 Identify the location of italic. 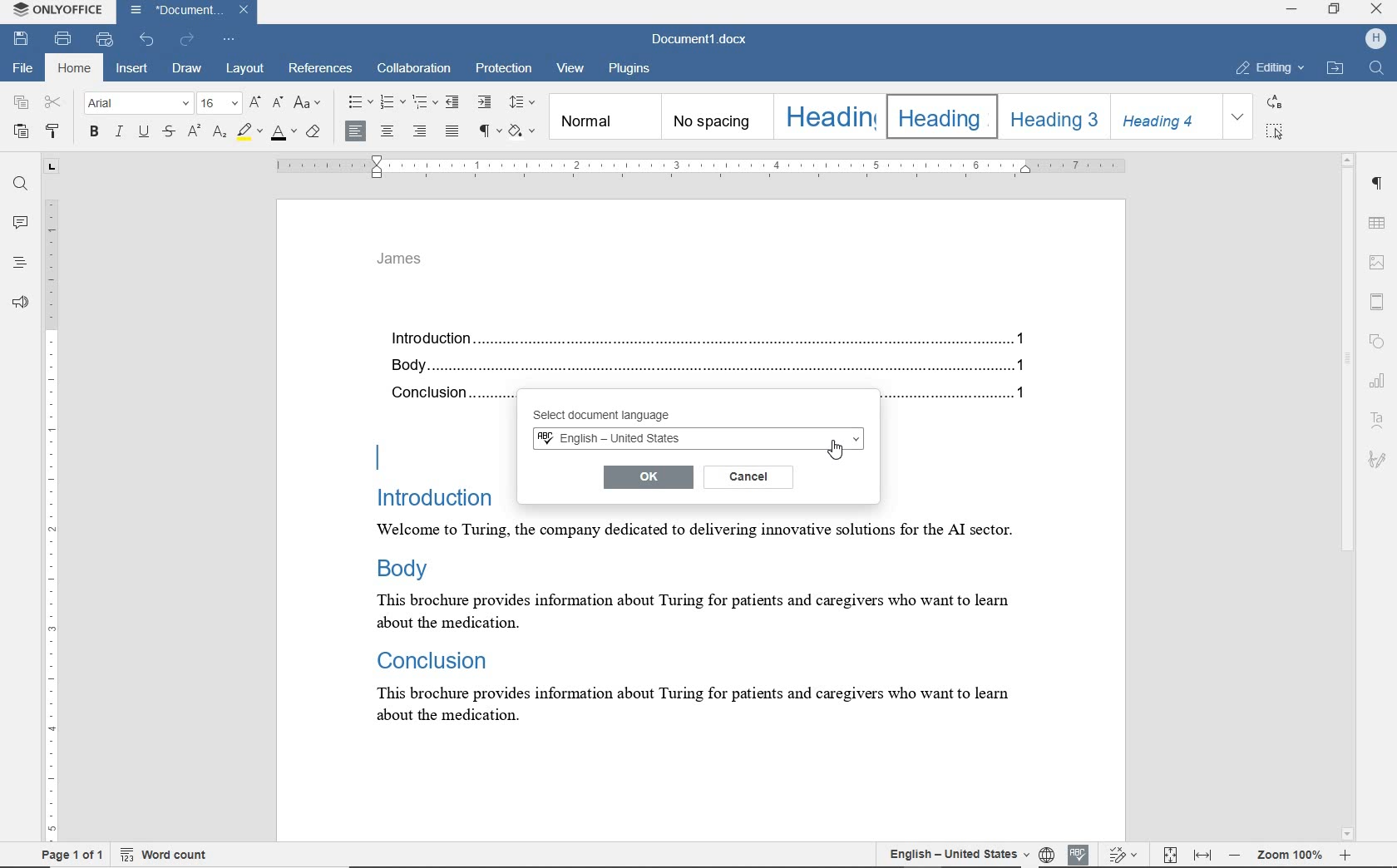
(120, 132).